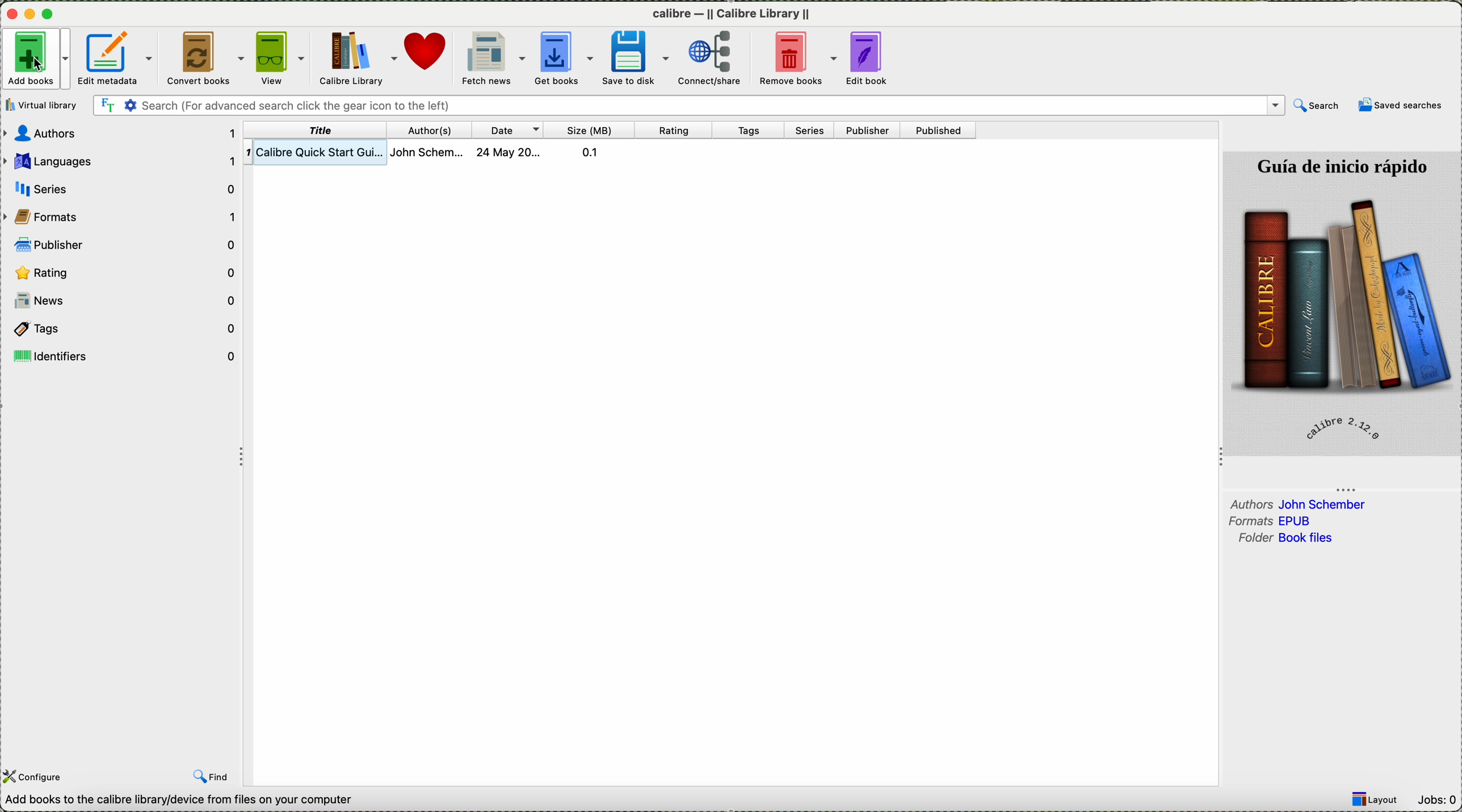 This screenshot has height=812, width=1462. What do you see at coordinates (869, 129) in the screenshot?
I see `publisher` at bounding box center [869, 129].